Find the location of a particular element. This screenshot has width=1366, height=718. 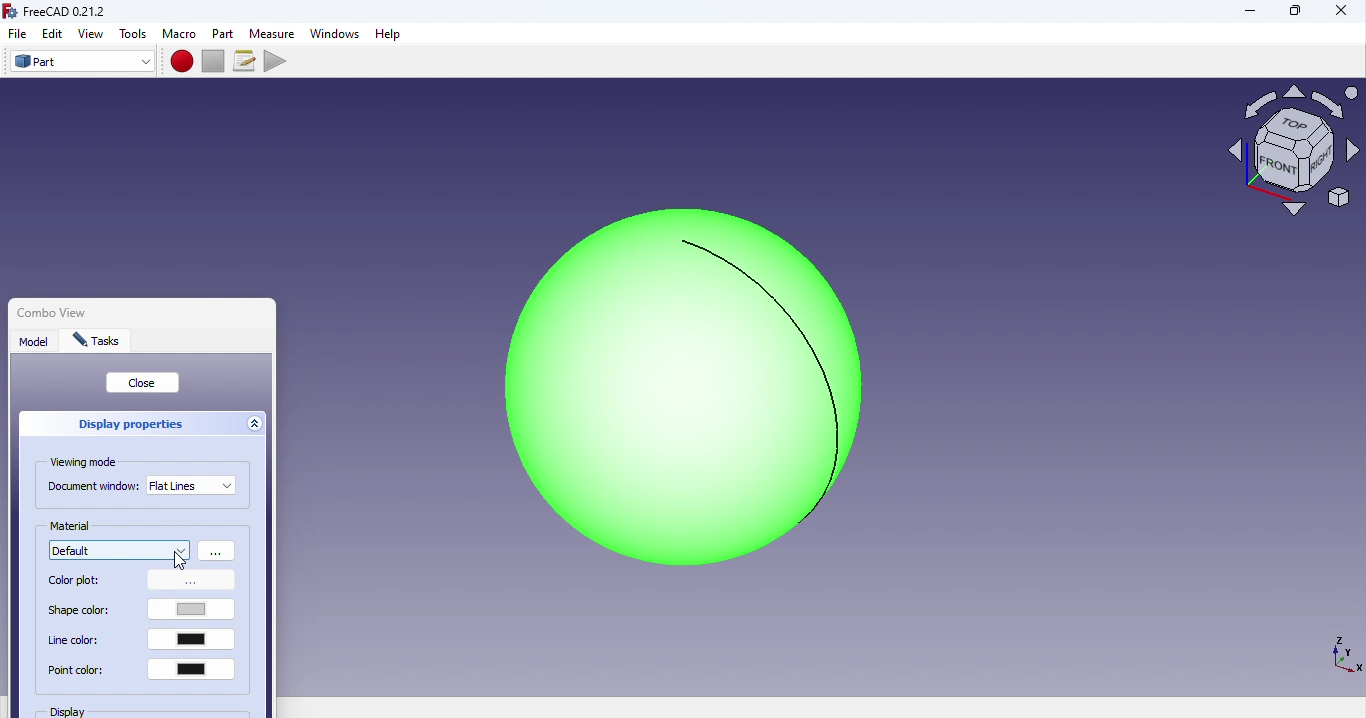

FreeCAD logo is located at coordinates (61, 12).